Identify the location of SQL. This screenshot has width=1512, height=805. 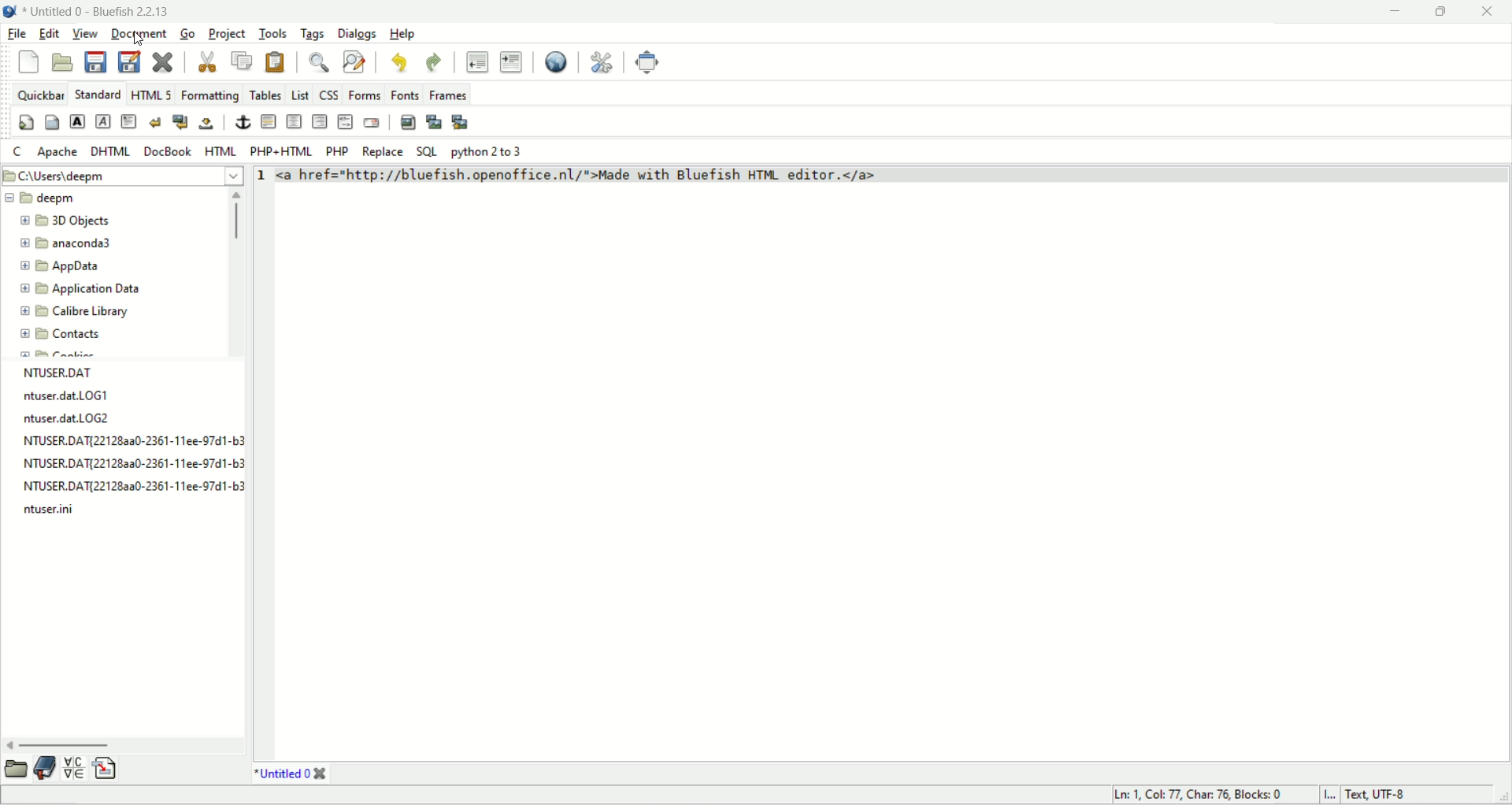
(426, 152).